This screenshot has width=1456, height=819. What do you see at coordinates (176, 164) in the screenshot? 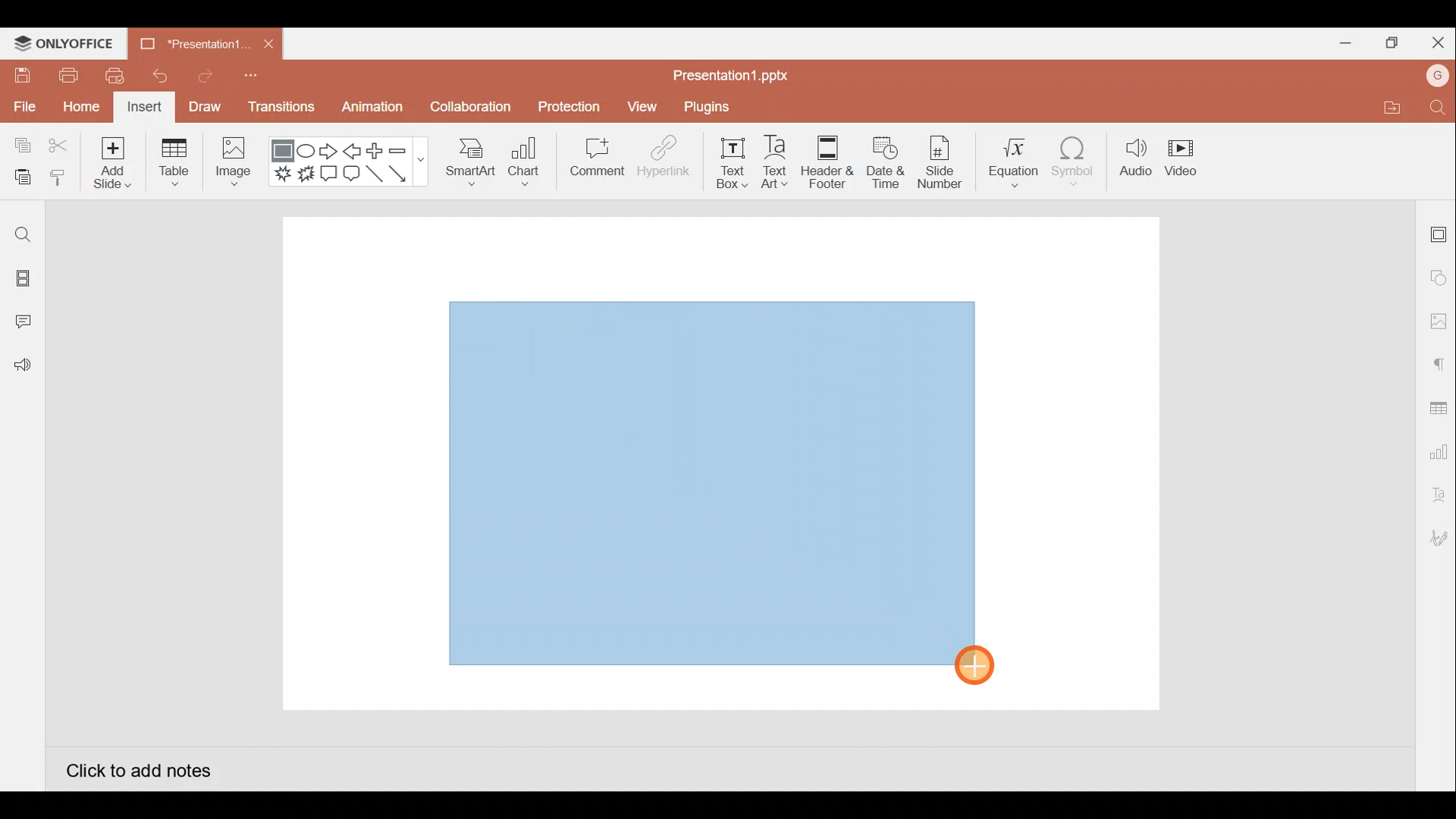
I see `Table` at bounding box center [176, 164].